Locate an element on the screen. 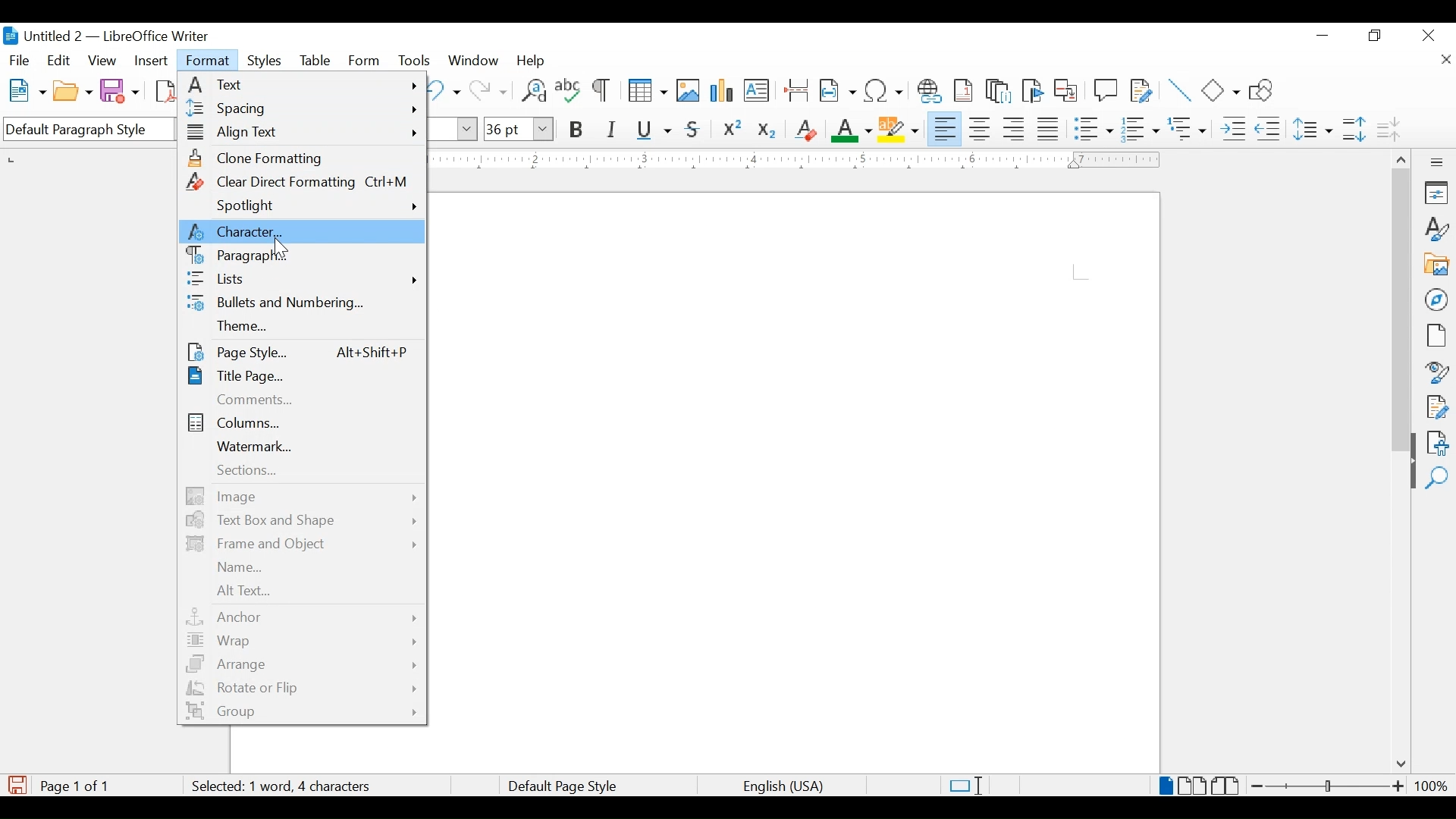  columns is located at coordinates (236, 422).